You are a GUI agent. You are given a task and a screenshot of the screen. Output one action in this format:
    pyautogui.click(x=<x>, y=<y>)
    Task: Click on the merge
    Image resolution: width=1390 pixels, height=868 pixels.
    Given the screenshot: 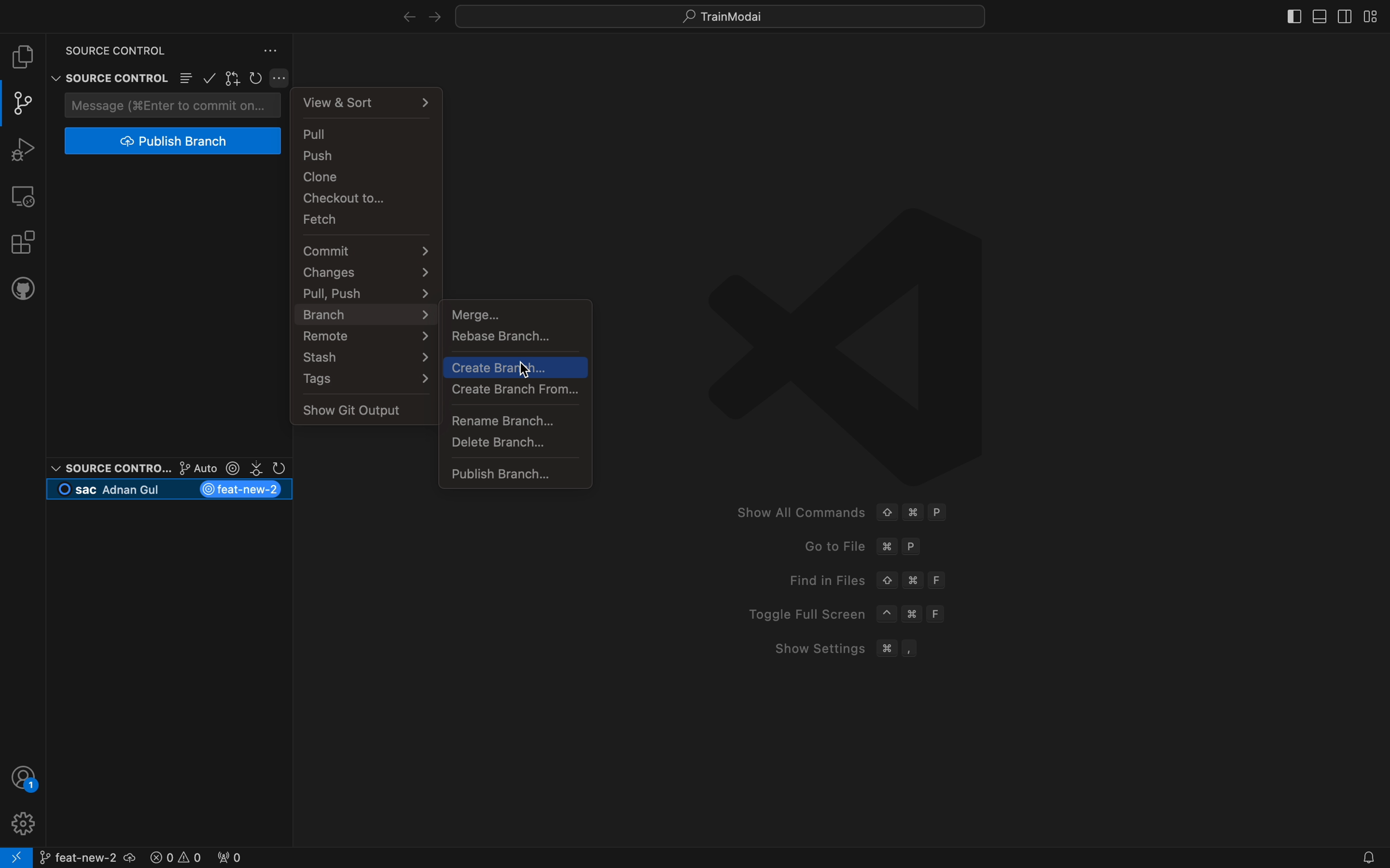 What is the action you would take?
    pyautogui.click(x=519, y=313)
    